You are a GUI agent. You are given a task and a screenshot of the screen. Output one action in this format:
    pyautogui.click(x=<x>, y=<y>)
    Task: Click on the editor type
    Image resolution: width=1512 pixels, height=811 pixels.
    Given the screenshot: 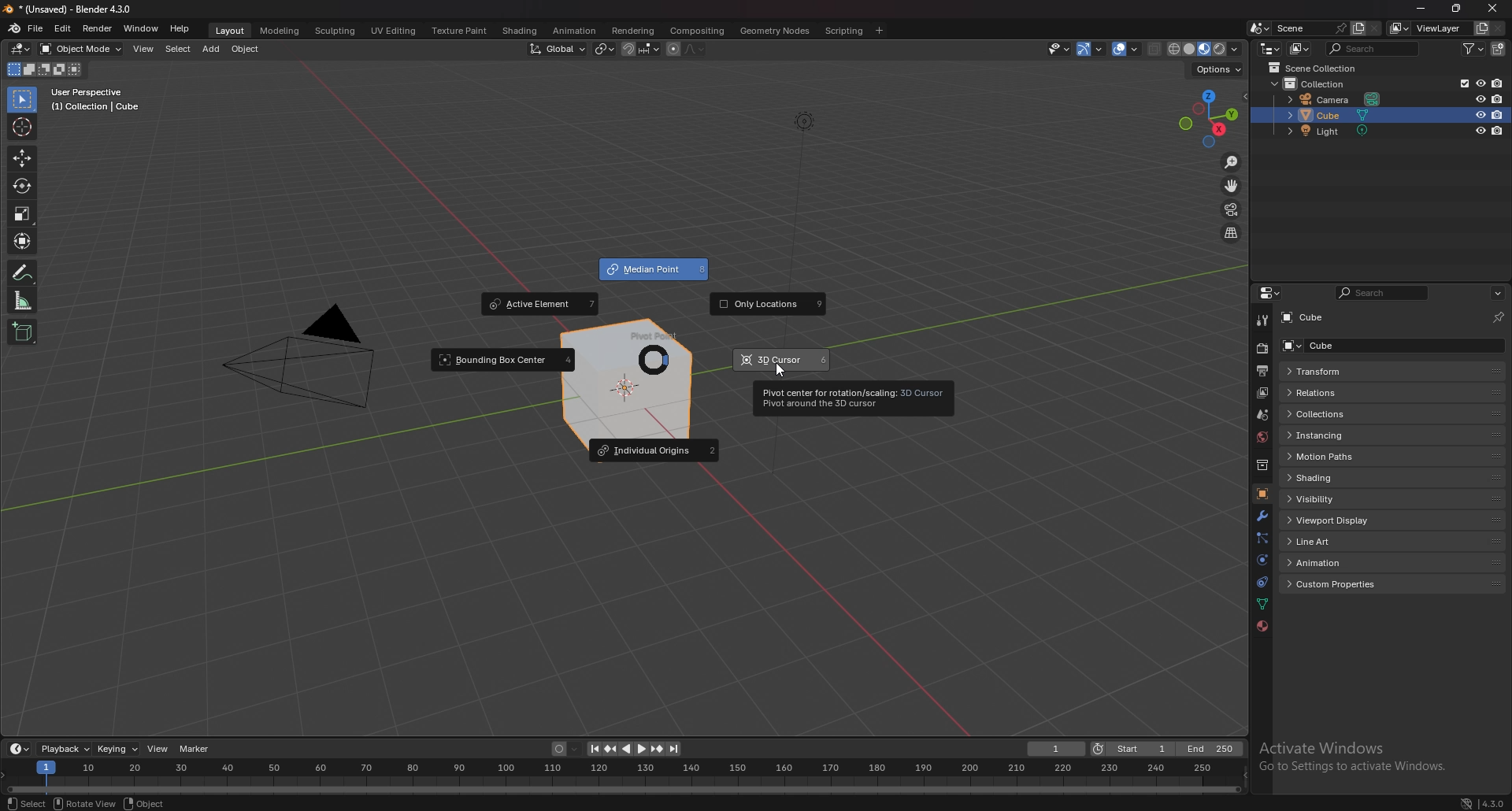 What is the action you would take?
    pyautogui.click(x=1268, y=293)
    